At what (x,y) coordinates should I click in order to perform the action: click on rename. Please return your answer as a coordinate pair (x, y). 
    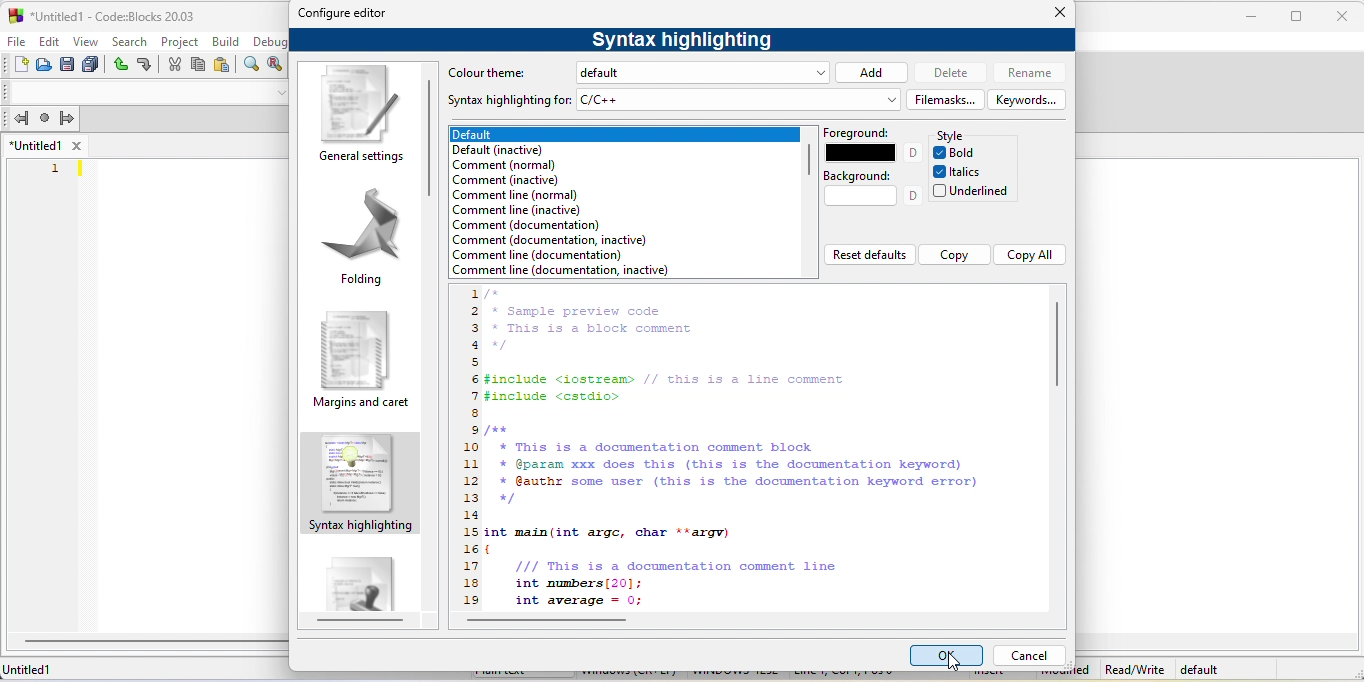
    Looking at the image, I should click on (1027, 73).